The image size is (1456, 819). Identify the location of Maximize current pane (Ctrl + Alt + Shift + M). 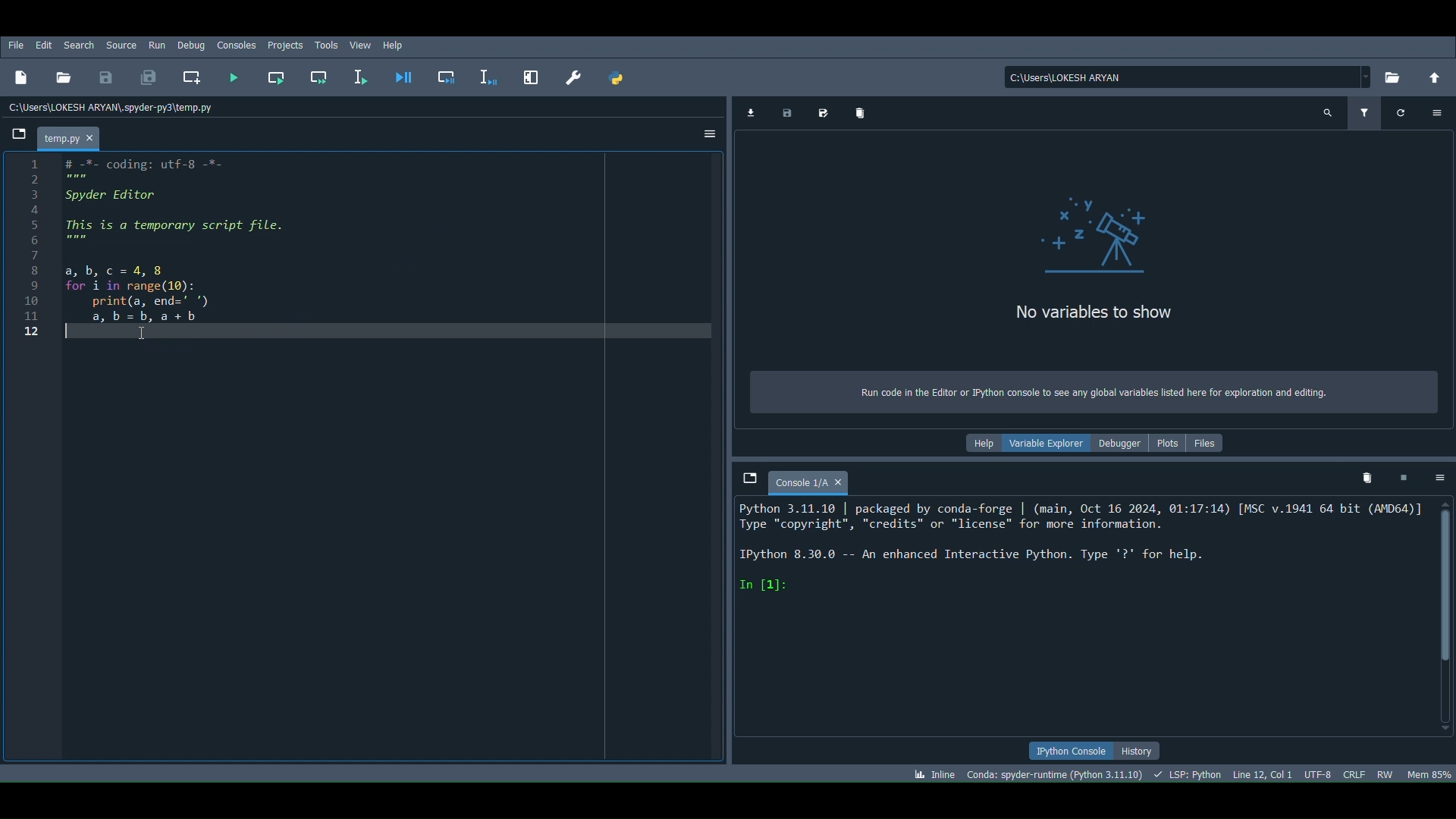
(532, 77).